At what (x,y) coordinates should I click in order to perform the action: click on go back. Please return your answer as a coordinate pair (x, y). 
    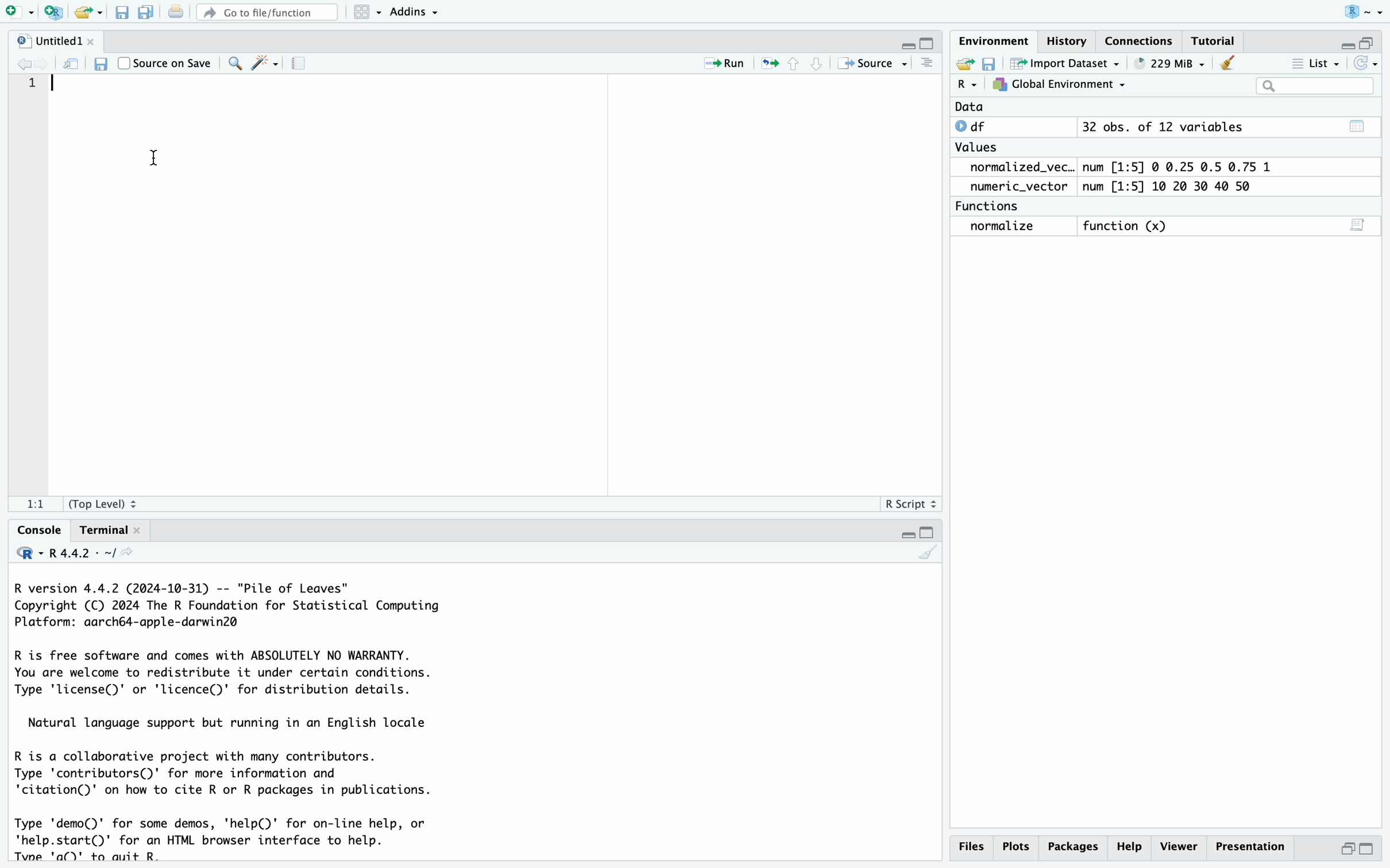
    Looking at the image, I should click on (18, 64).